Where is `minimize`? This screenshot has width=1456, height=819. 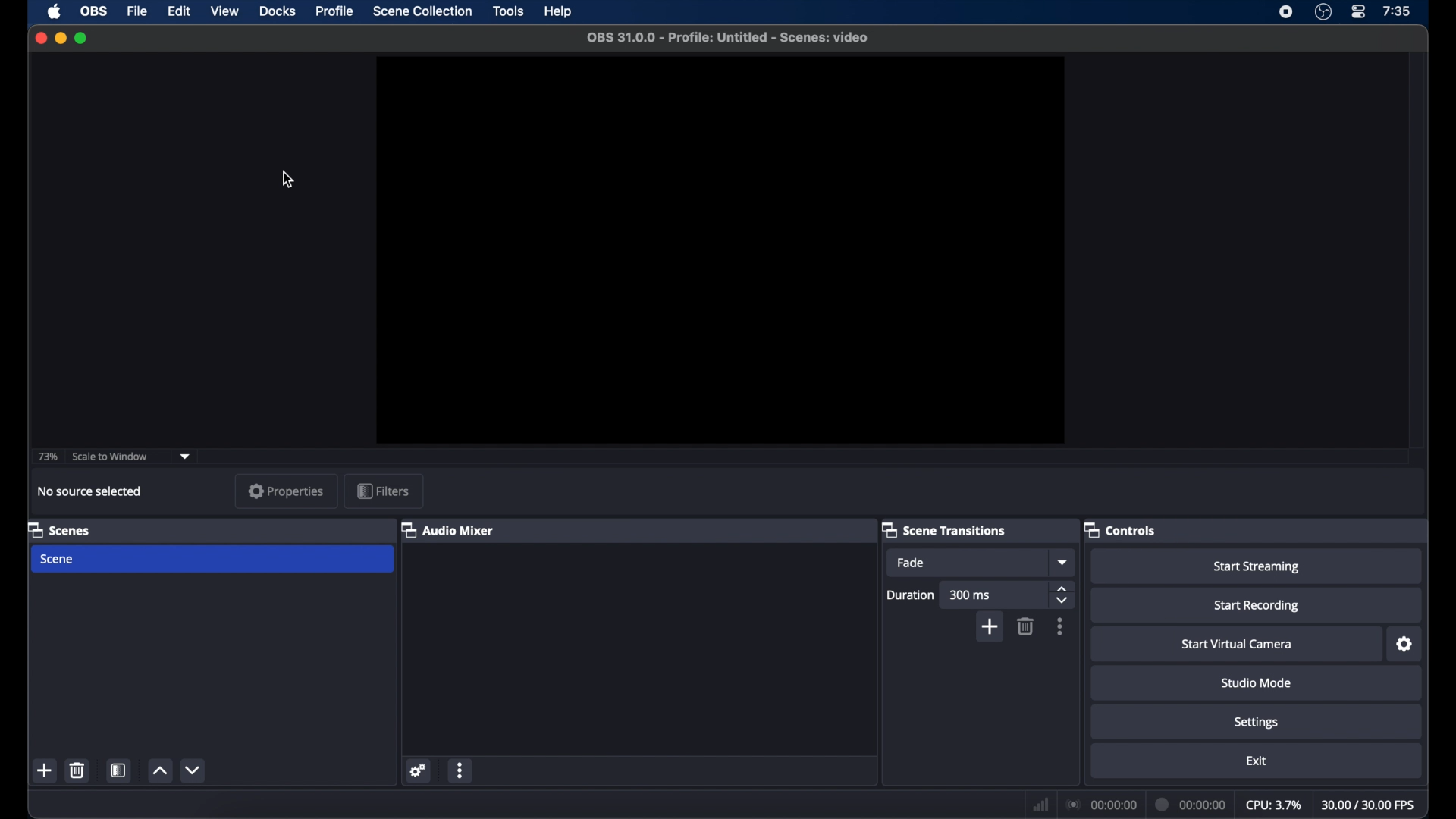
minimize is located at coordinates (60, 38).